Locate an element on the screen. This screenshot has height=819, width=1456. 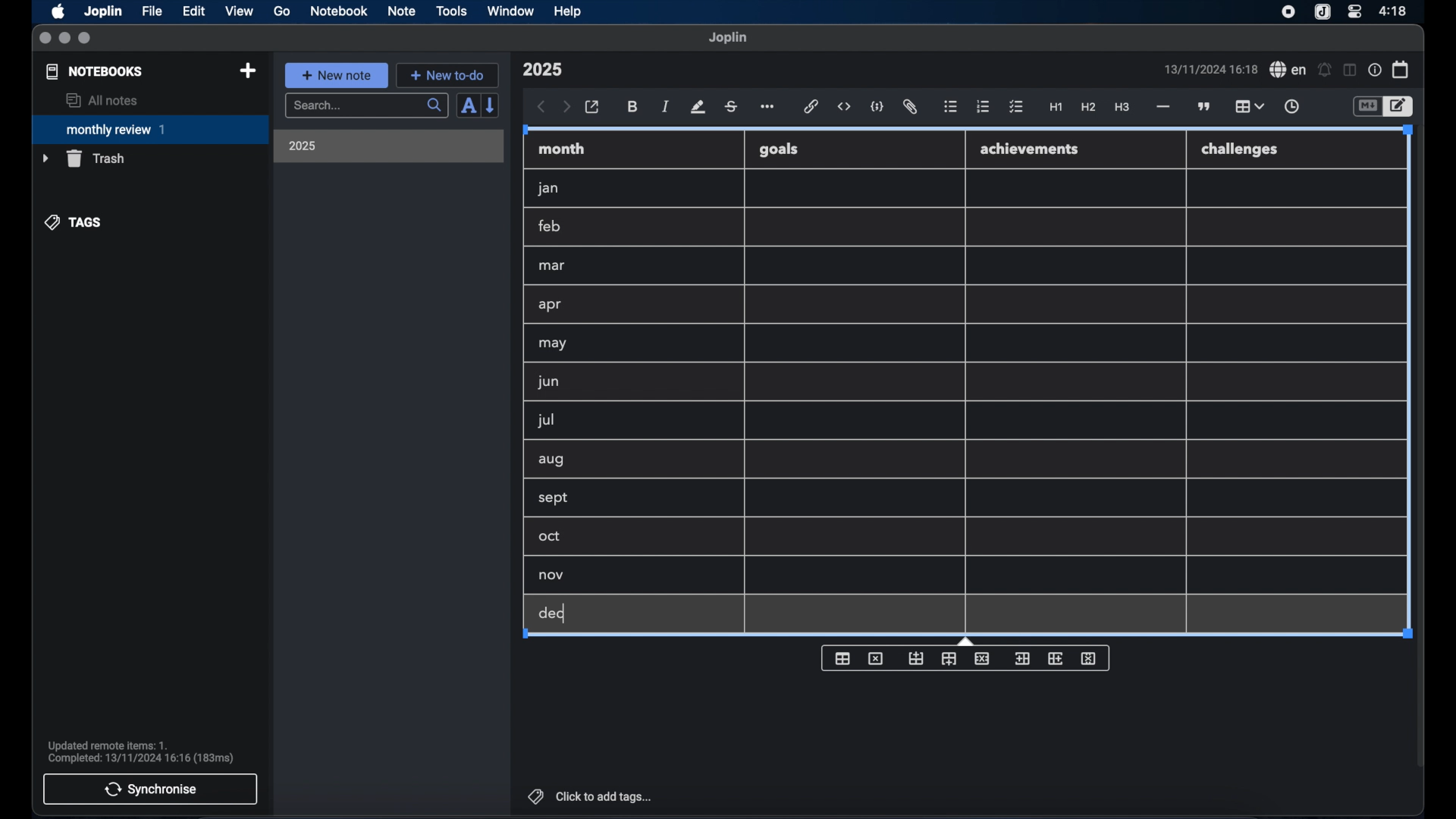
jun is located at coordinates (547, 381).